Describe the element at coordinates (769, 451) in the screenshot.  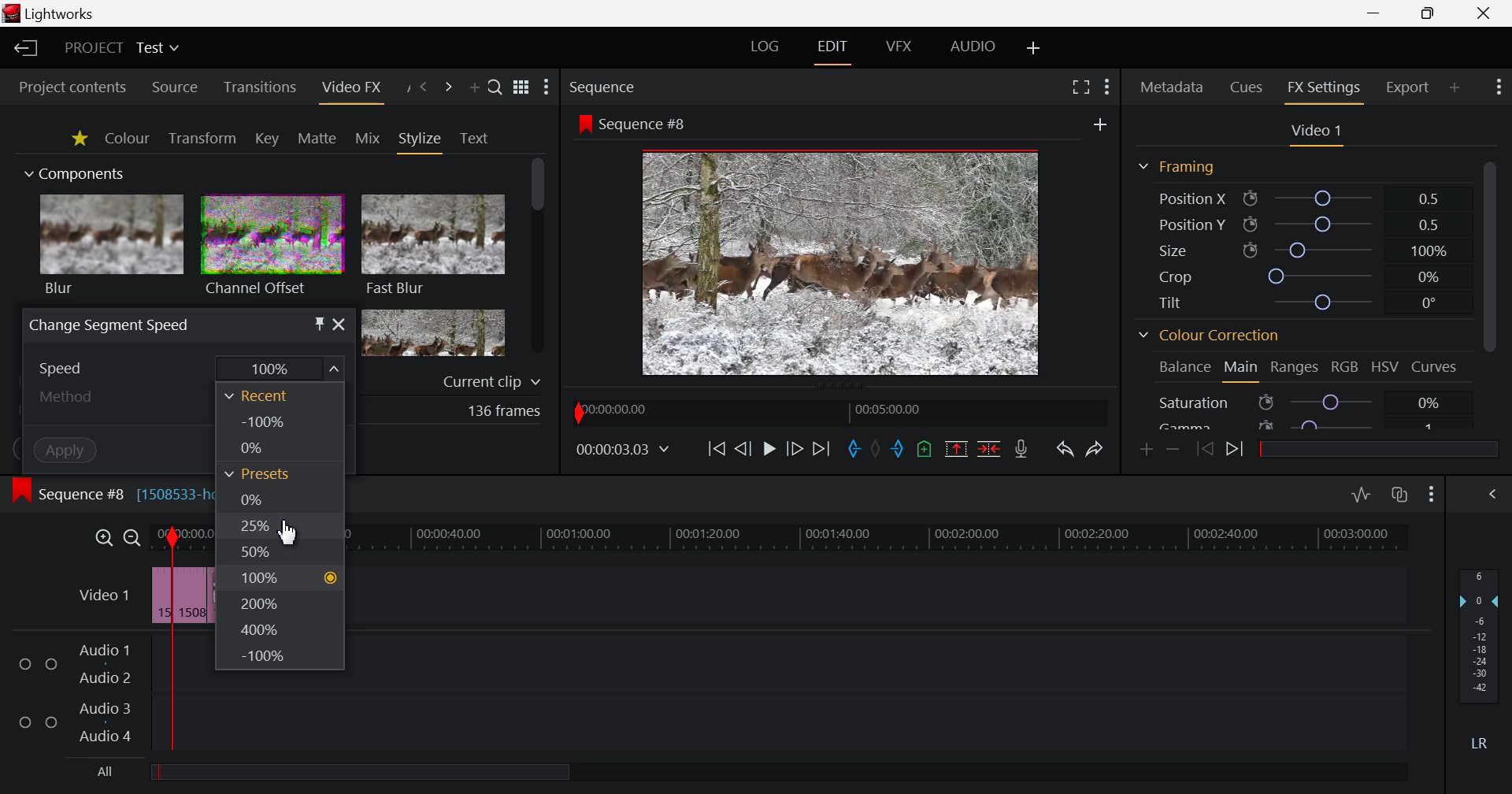
I see `Cursor on Stop Preview` at that location.